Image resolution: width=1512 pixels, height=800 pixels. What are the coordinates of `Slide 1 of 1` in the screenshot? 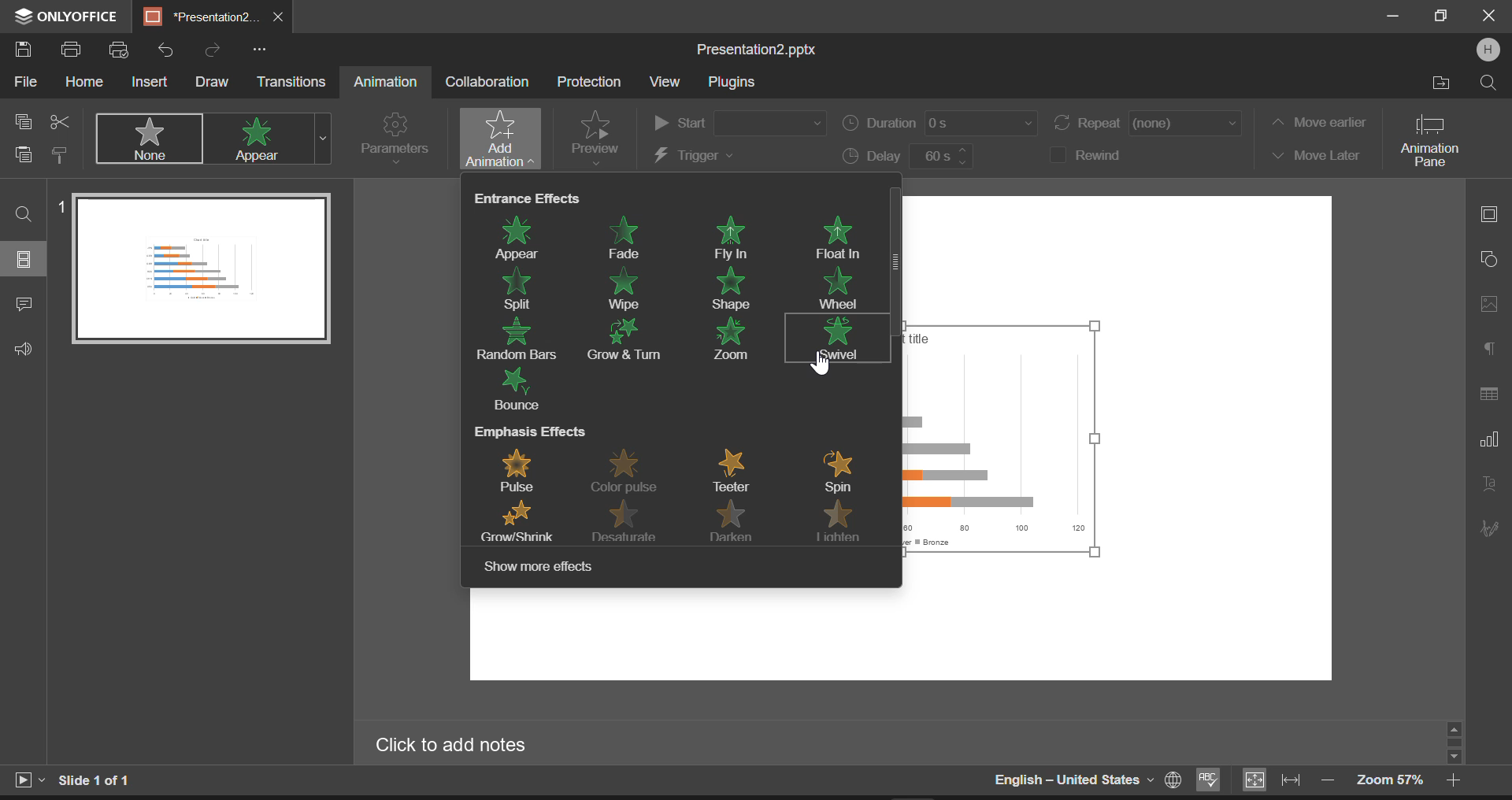 It's located at (98, 780).